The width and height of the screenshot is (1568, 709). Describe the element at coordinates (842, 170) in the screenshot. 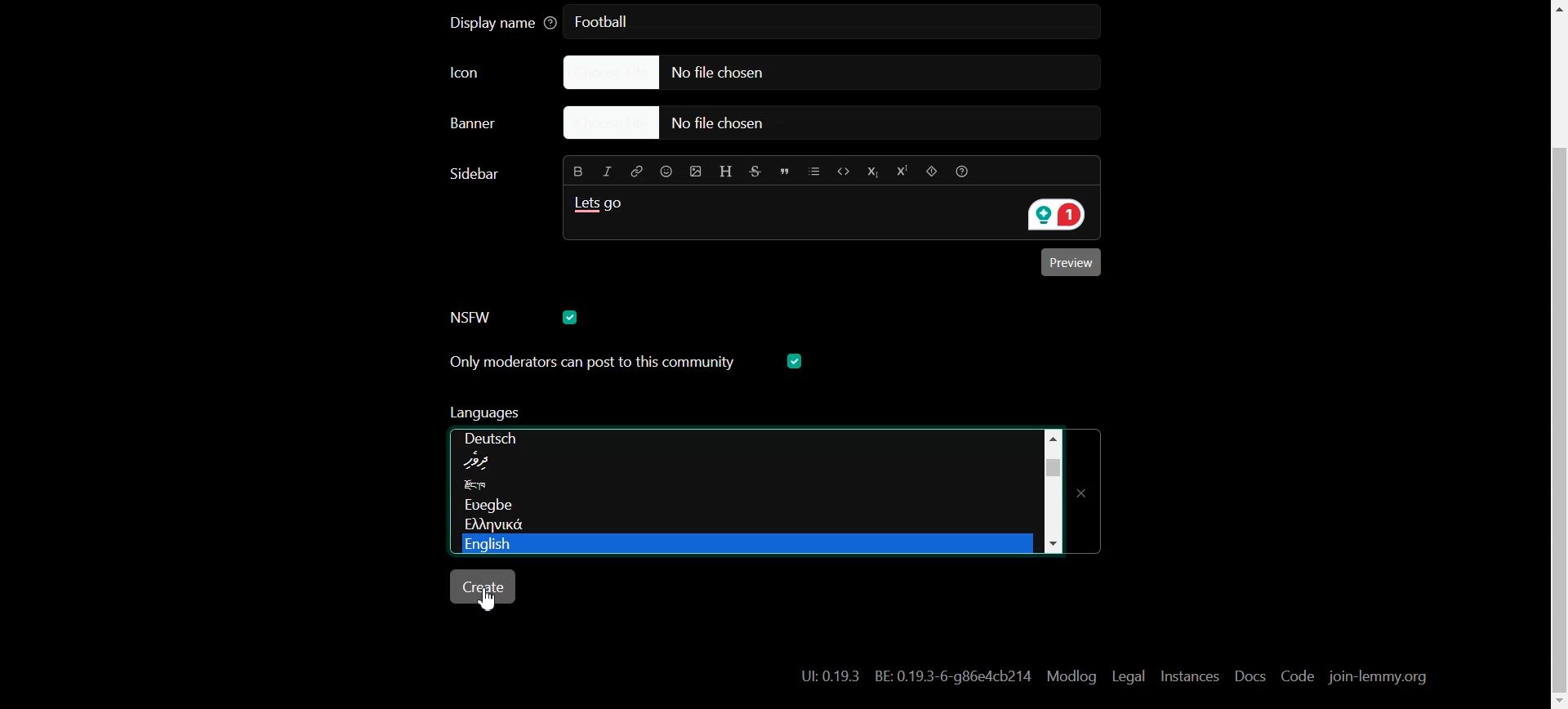

I see `Code` at that location.